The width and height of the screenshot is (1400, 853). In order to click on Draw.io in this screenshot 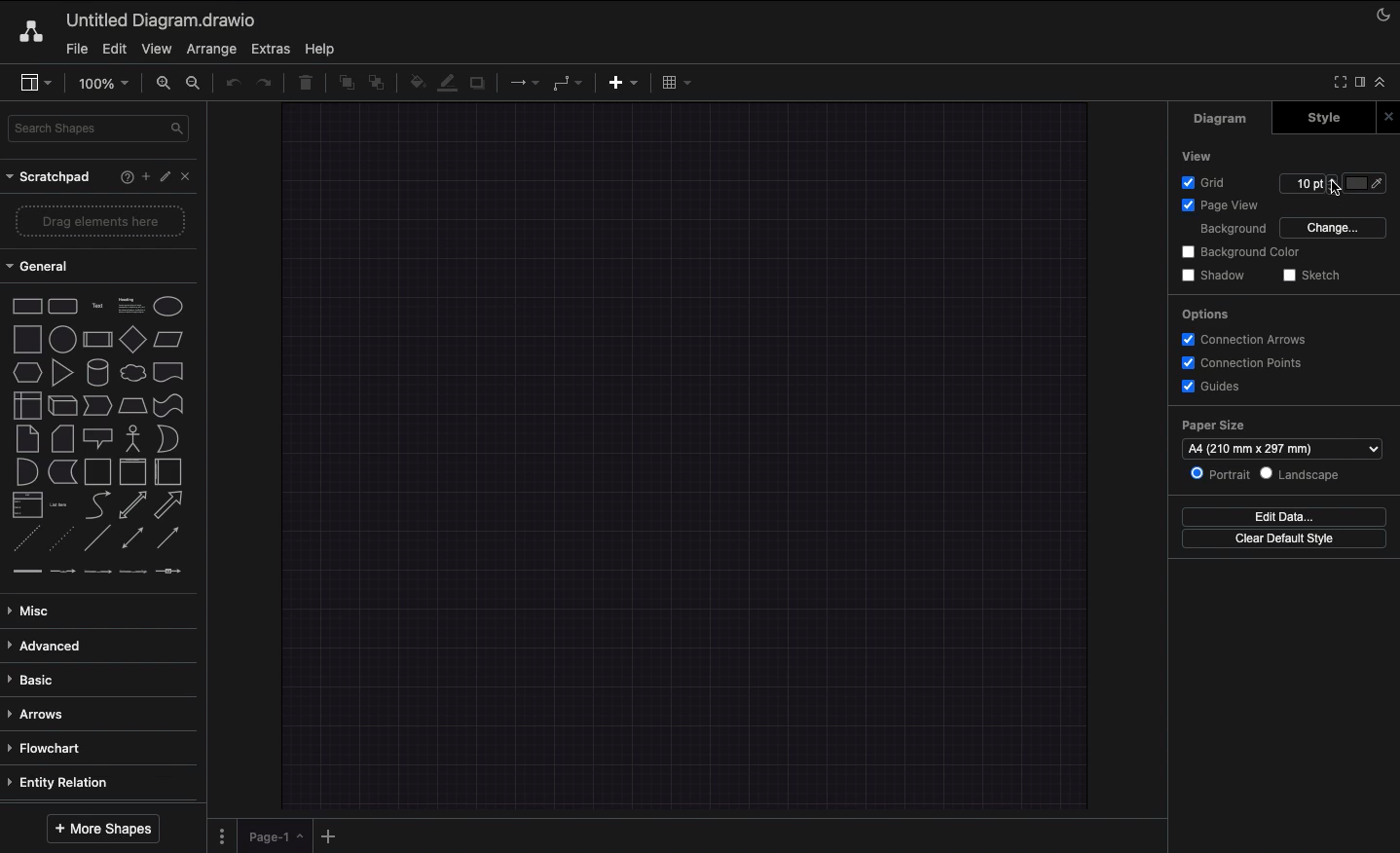, I will do `click(34, 33)`.